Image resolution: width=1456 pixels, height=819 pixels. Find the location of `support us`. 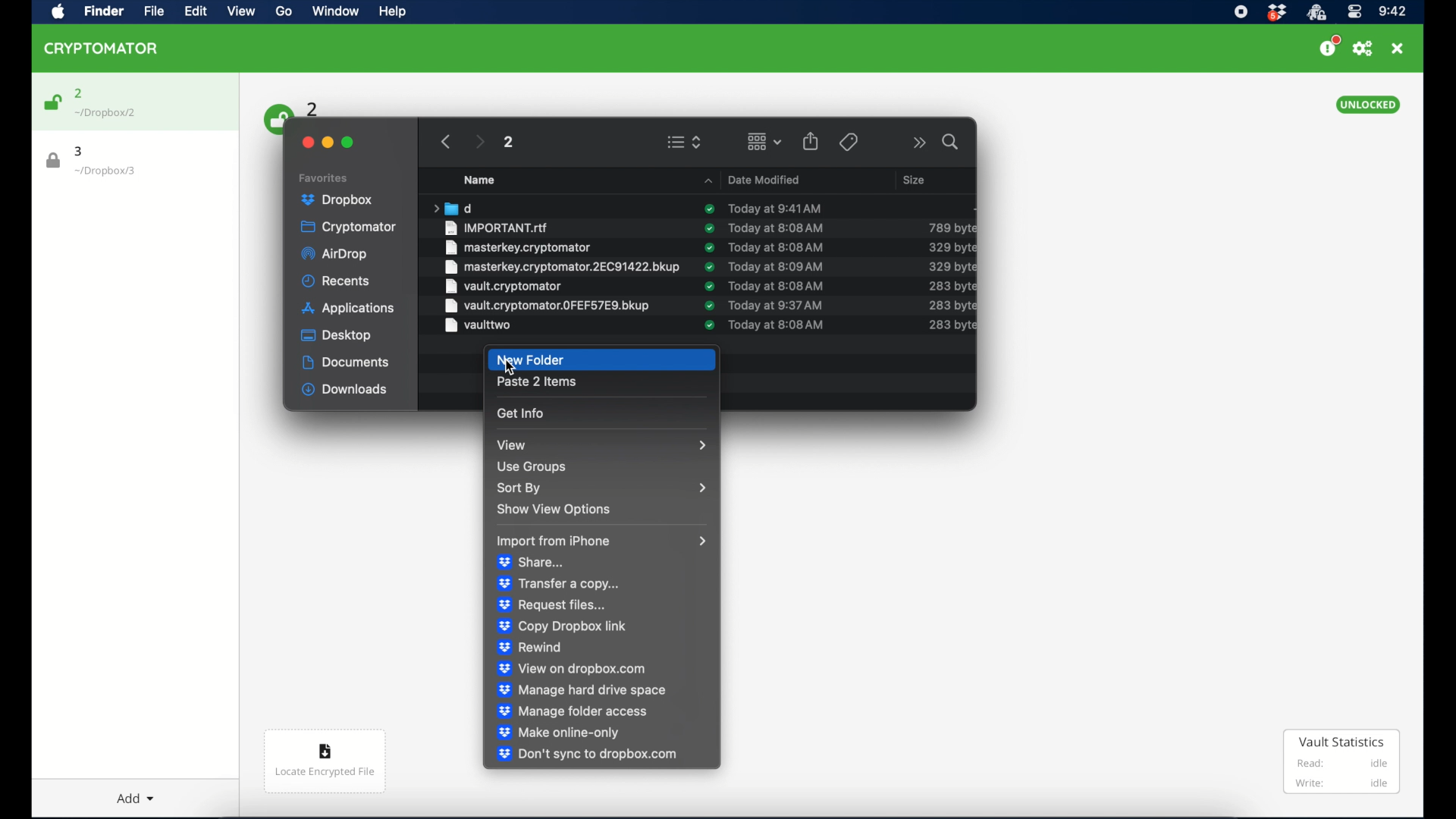

support us is located at coordinates (1329, 46).